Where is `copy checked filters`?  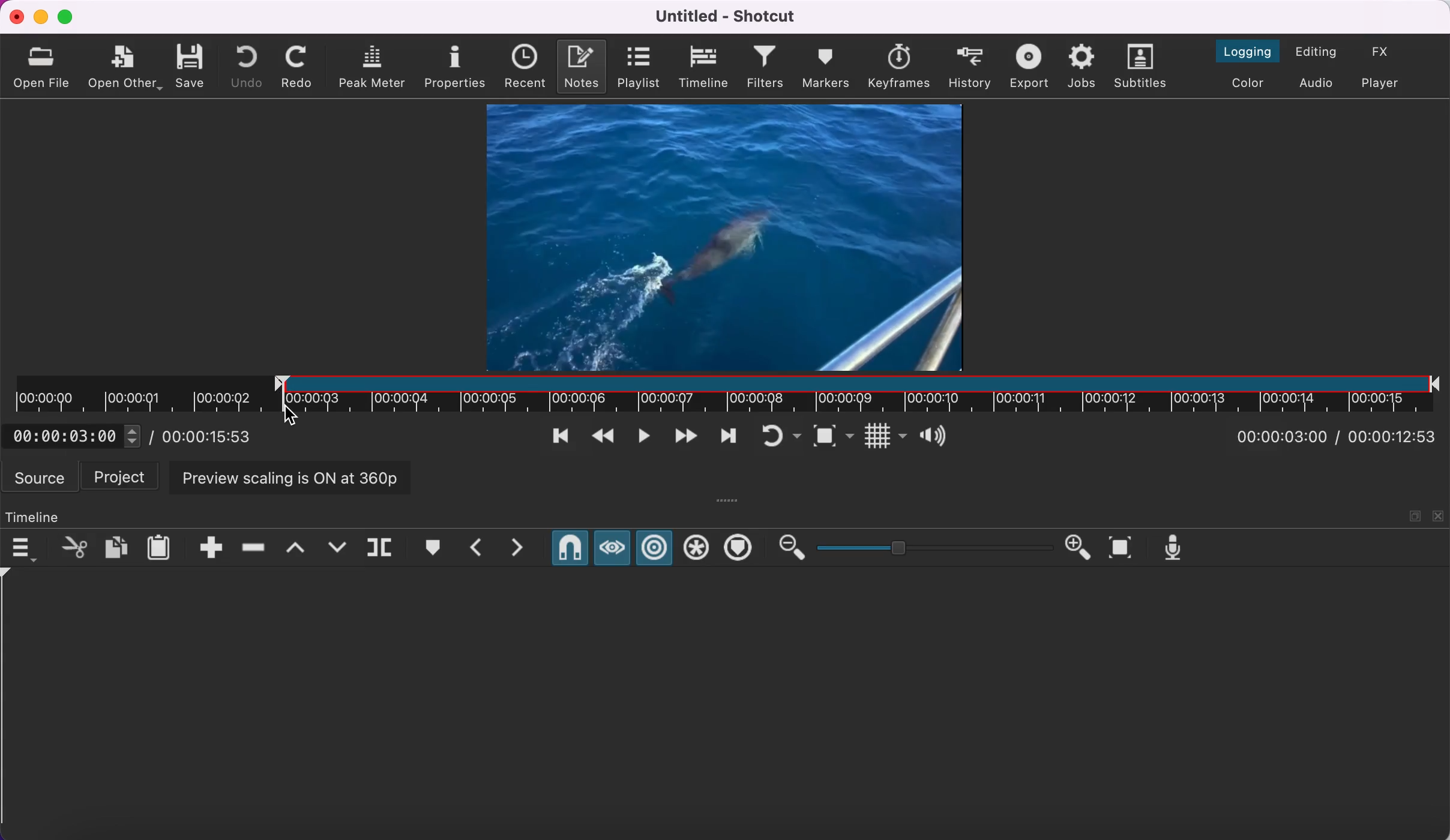 copy checked filters is located at coordinates (115, 547).